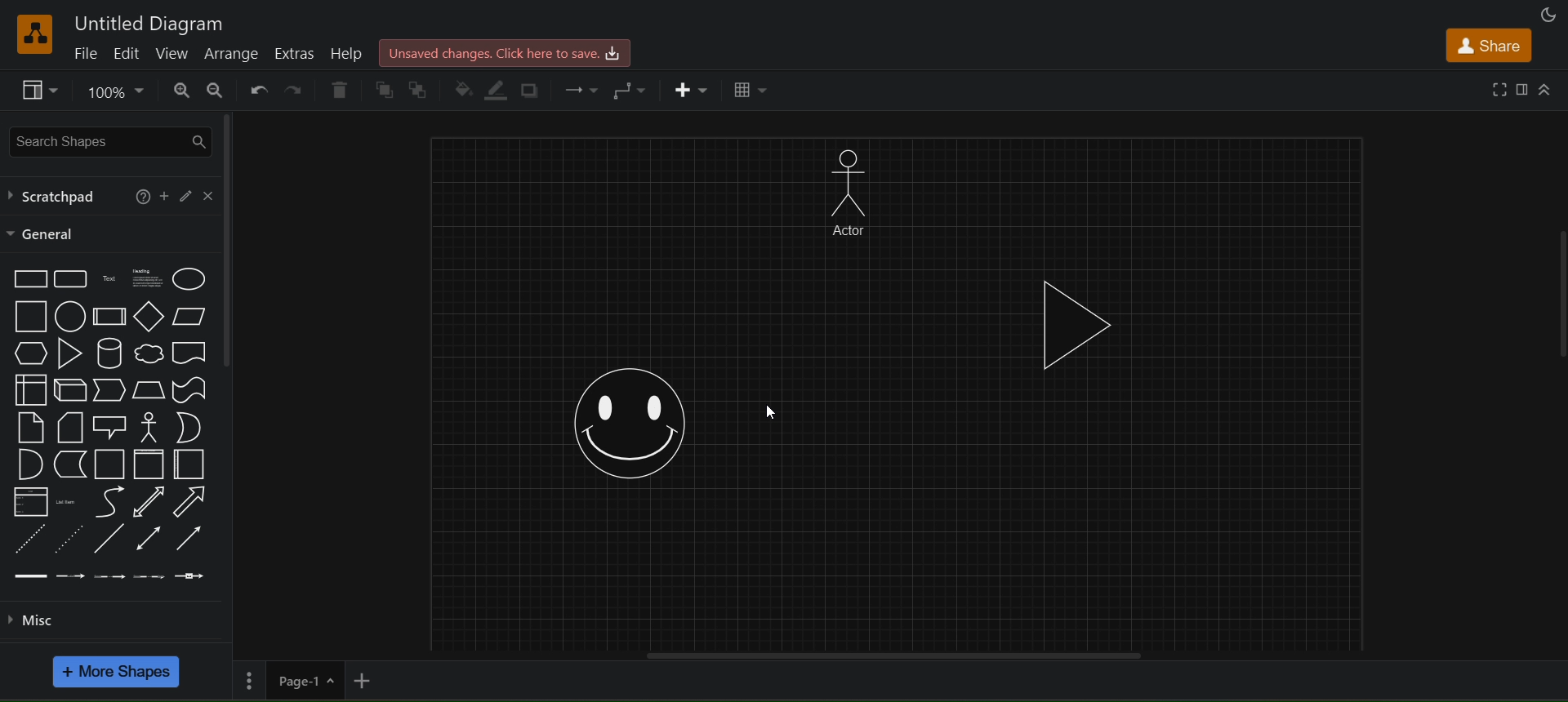  What do you see at coordinates (750, 91) in the screenshot?
I see `table` at bounding box center [750, 91].